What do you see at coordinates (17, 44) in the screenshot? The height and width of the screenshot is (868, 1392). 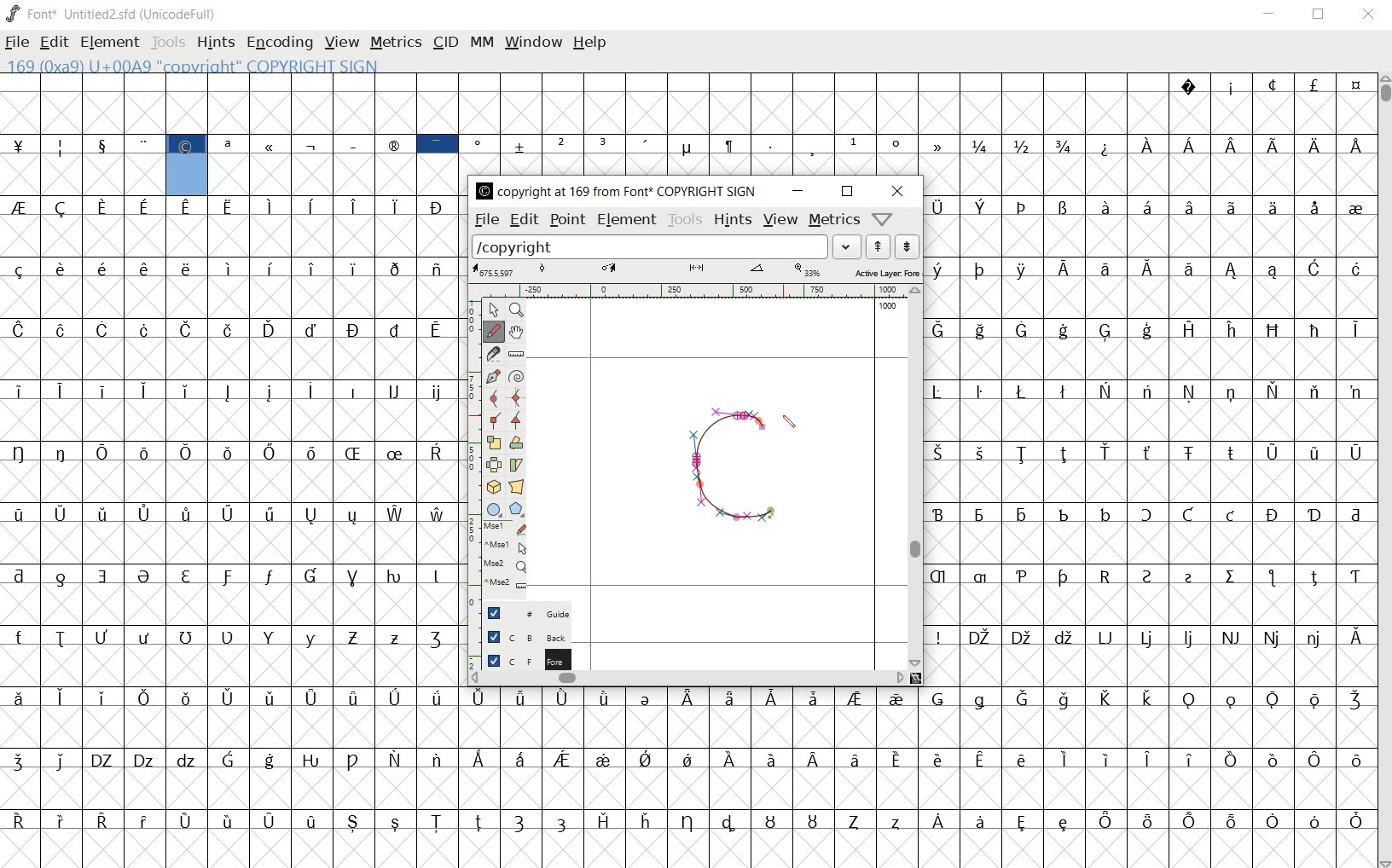 I see `file` at bounding box center [17, 44].